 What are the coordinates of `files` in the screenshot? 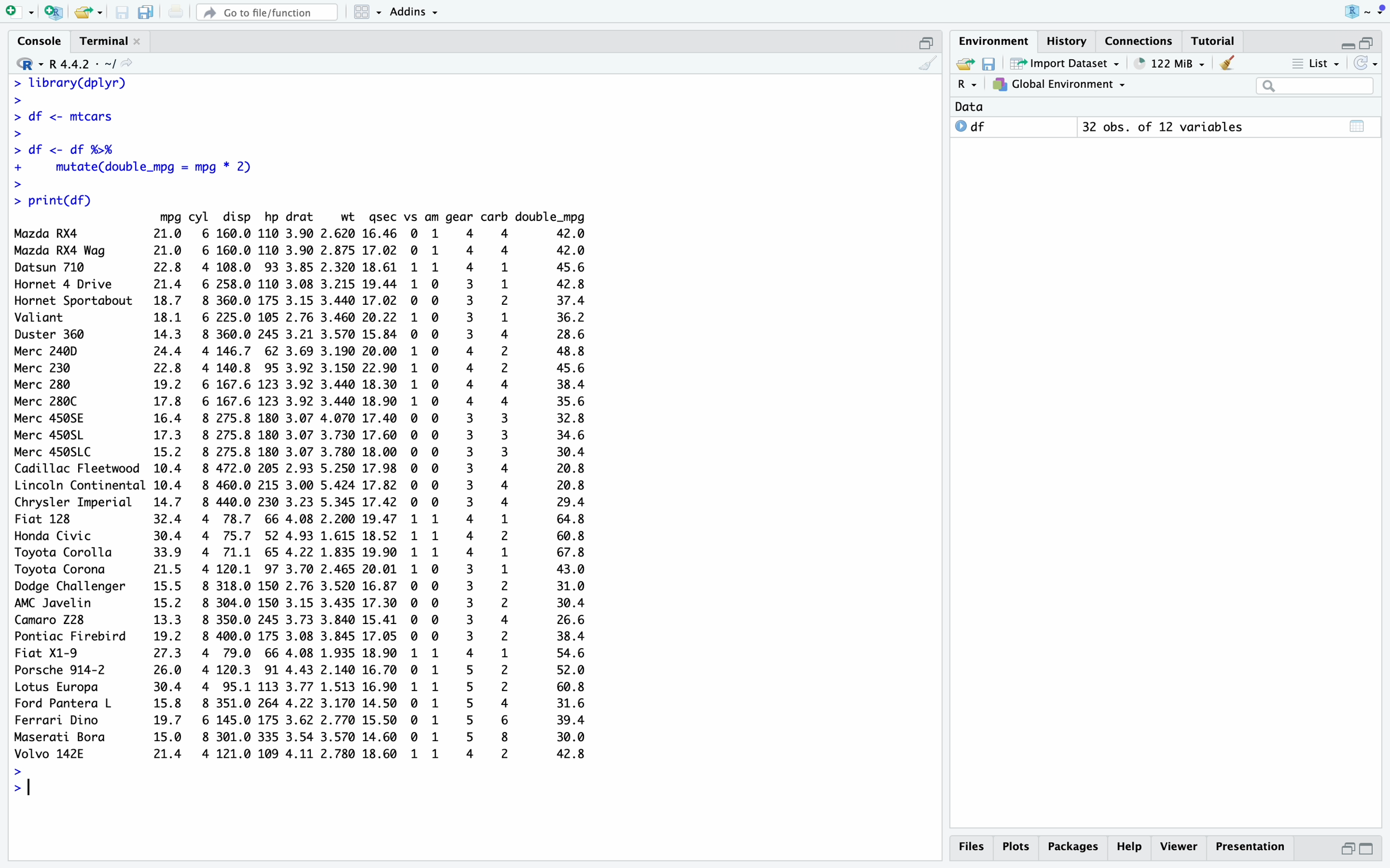 It's located at (975, 847).